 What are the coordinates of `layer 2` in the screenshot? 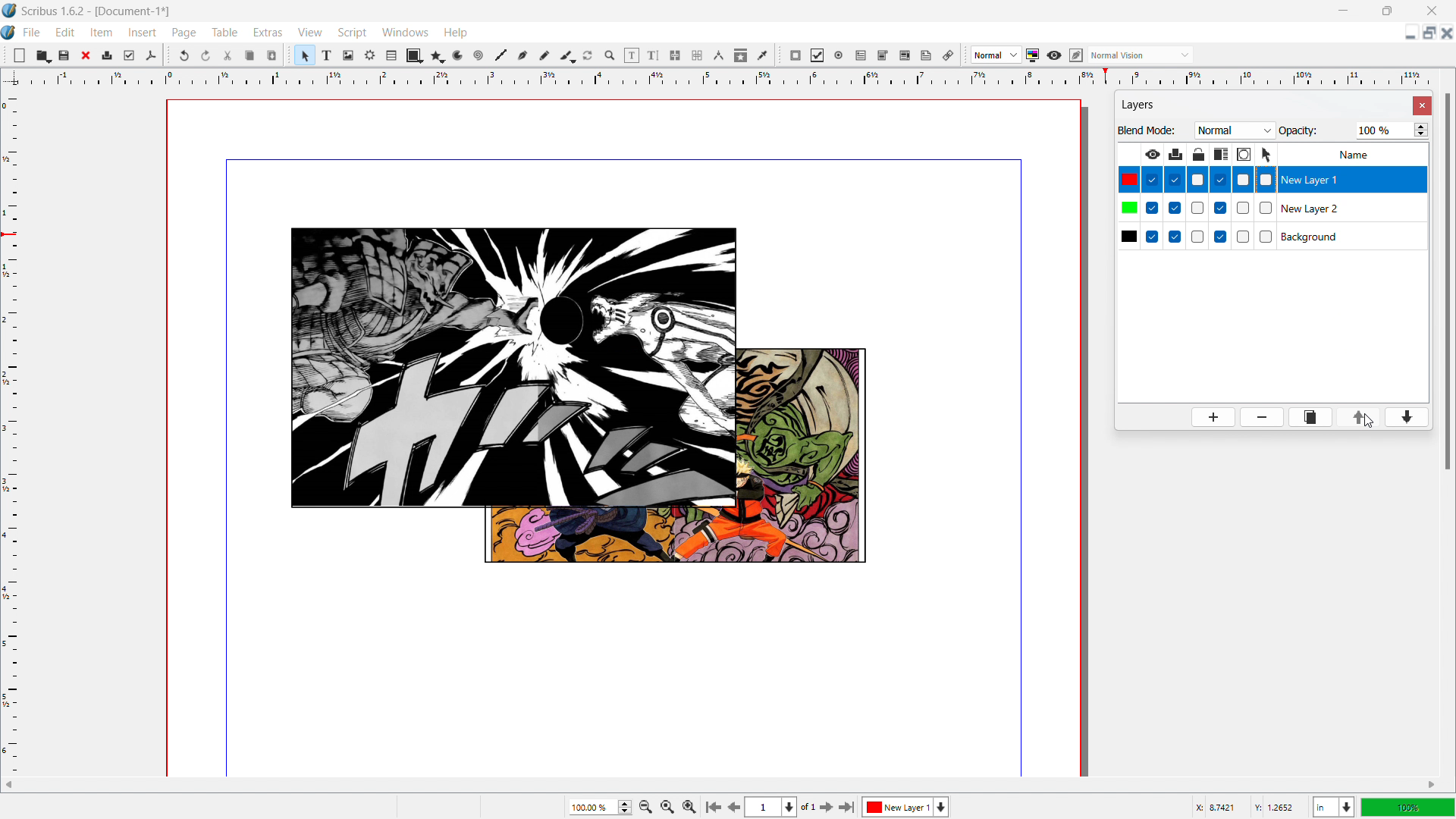 It's located at (1351, 180).